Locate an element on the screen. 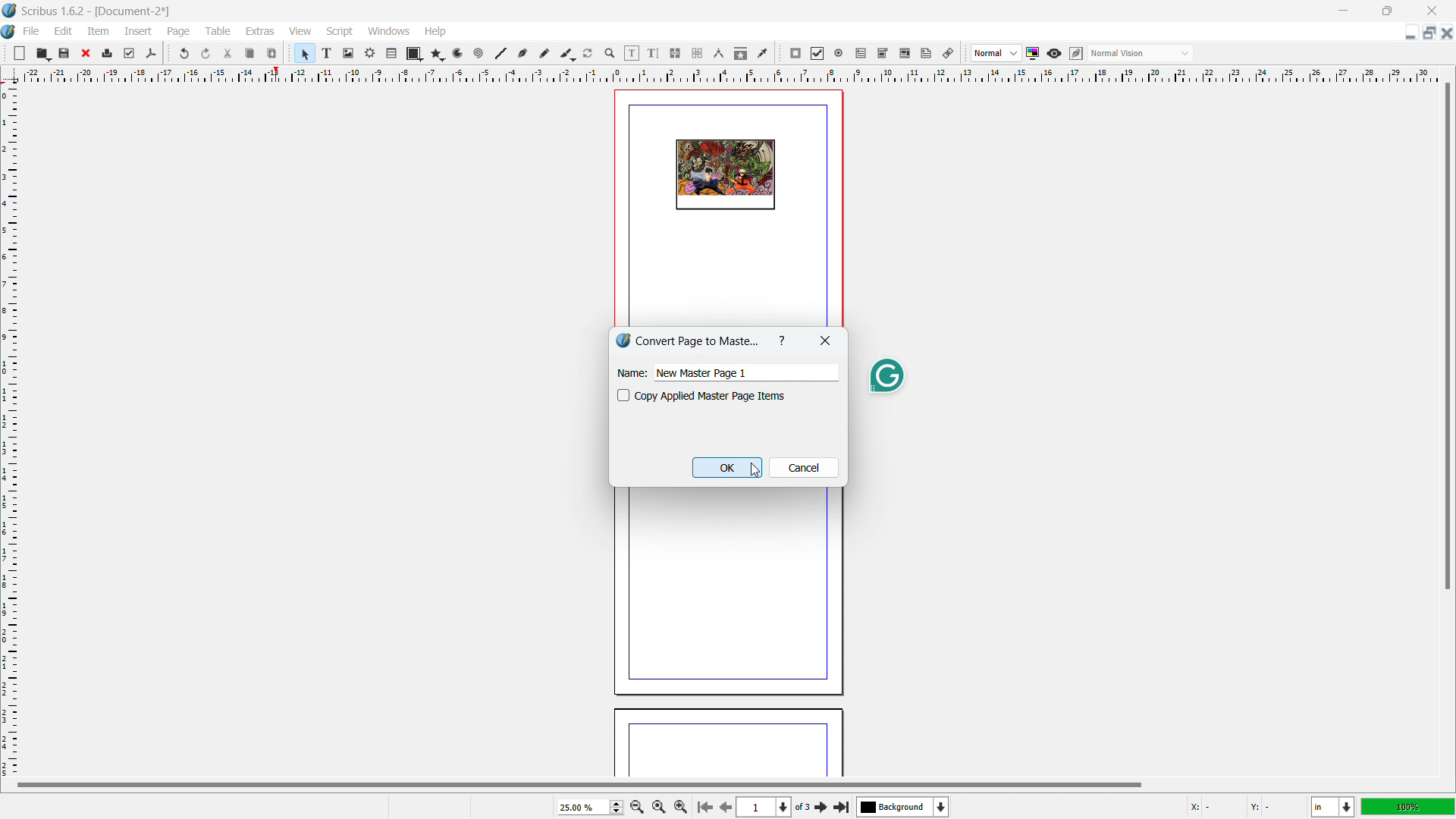 This screenshot has width=1456, height=819. edit contents of the frame is located at coordinates (632, 54).